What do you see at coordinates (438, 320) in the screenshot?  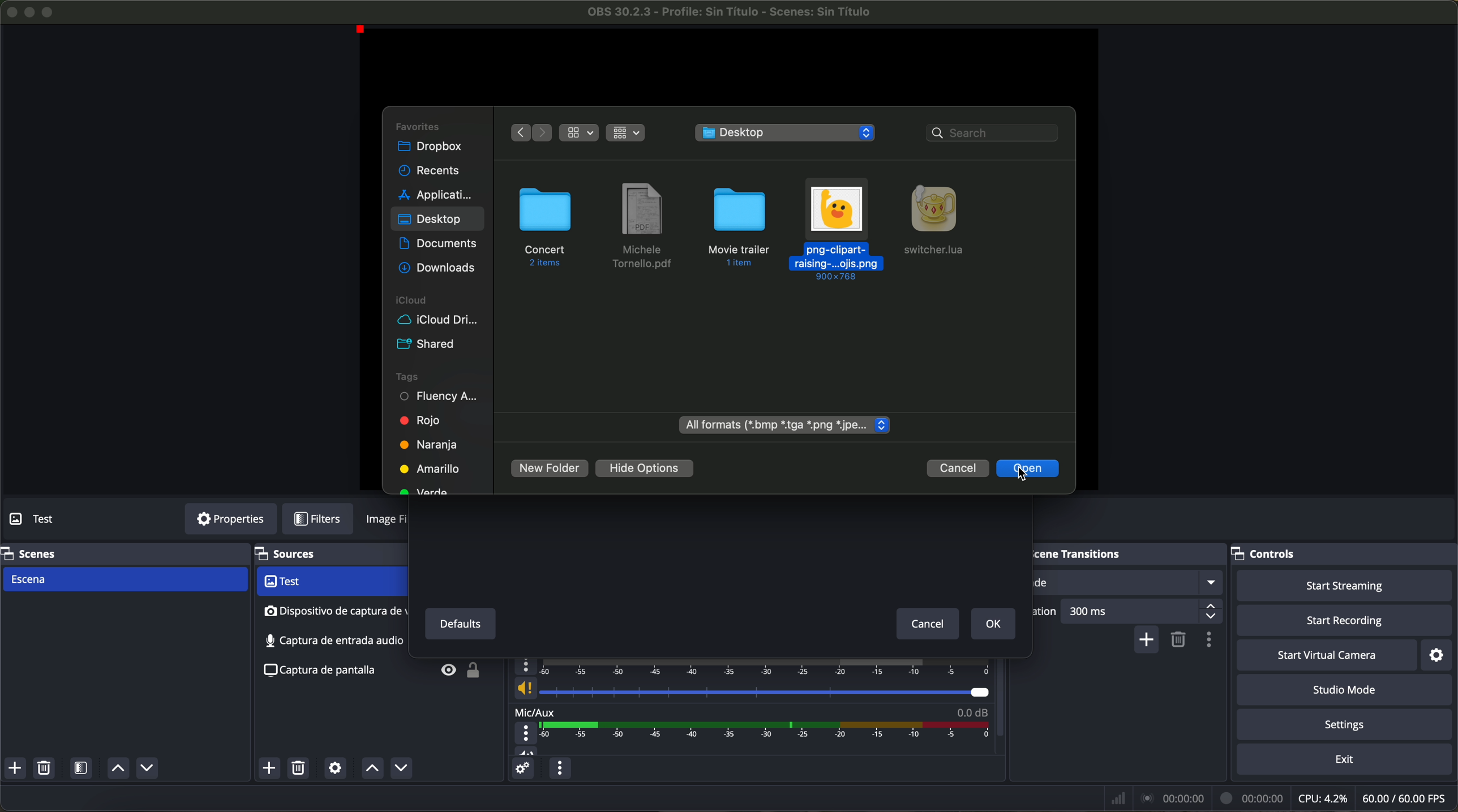 I see `icloud drive` at bounding box center [438, 320].